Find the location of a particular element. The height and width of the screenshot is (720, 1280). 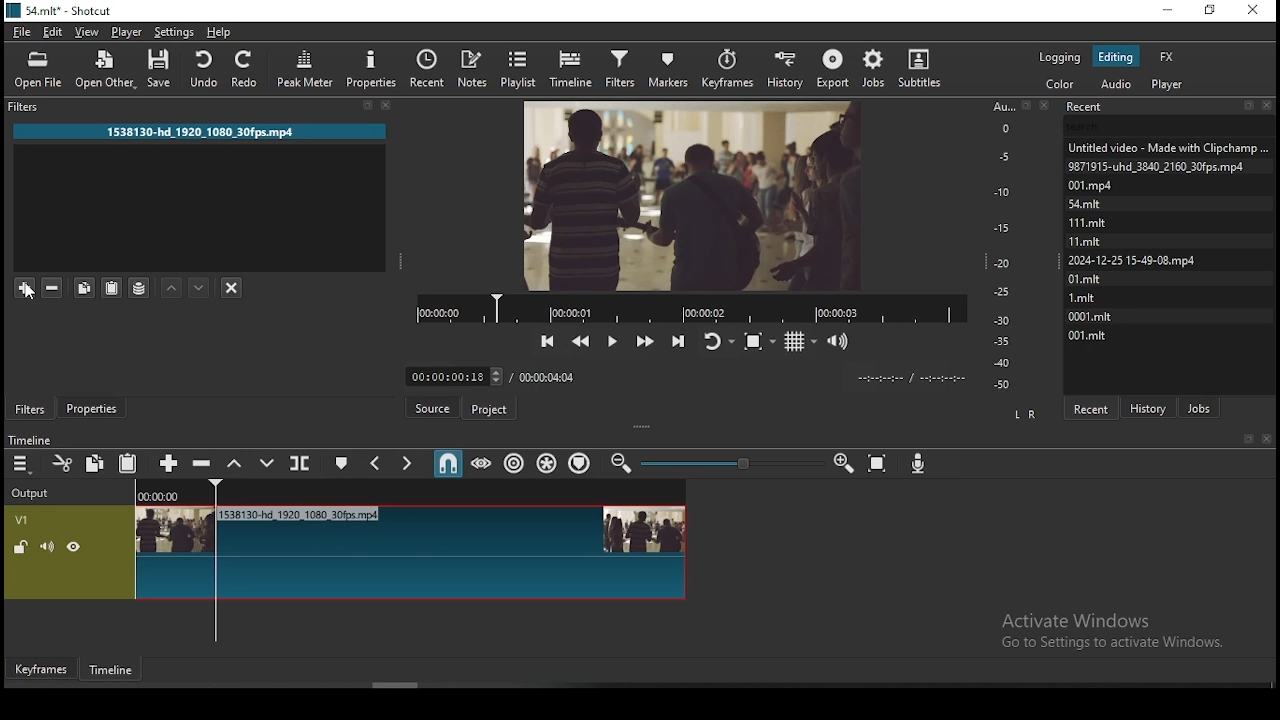

zoom in or zoom out slider is located at coordinates (728, 463).